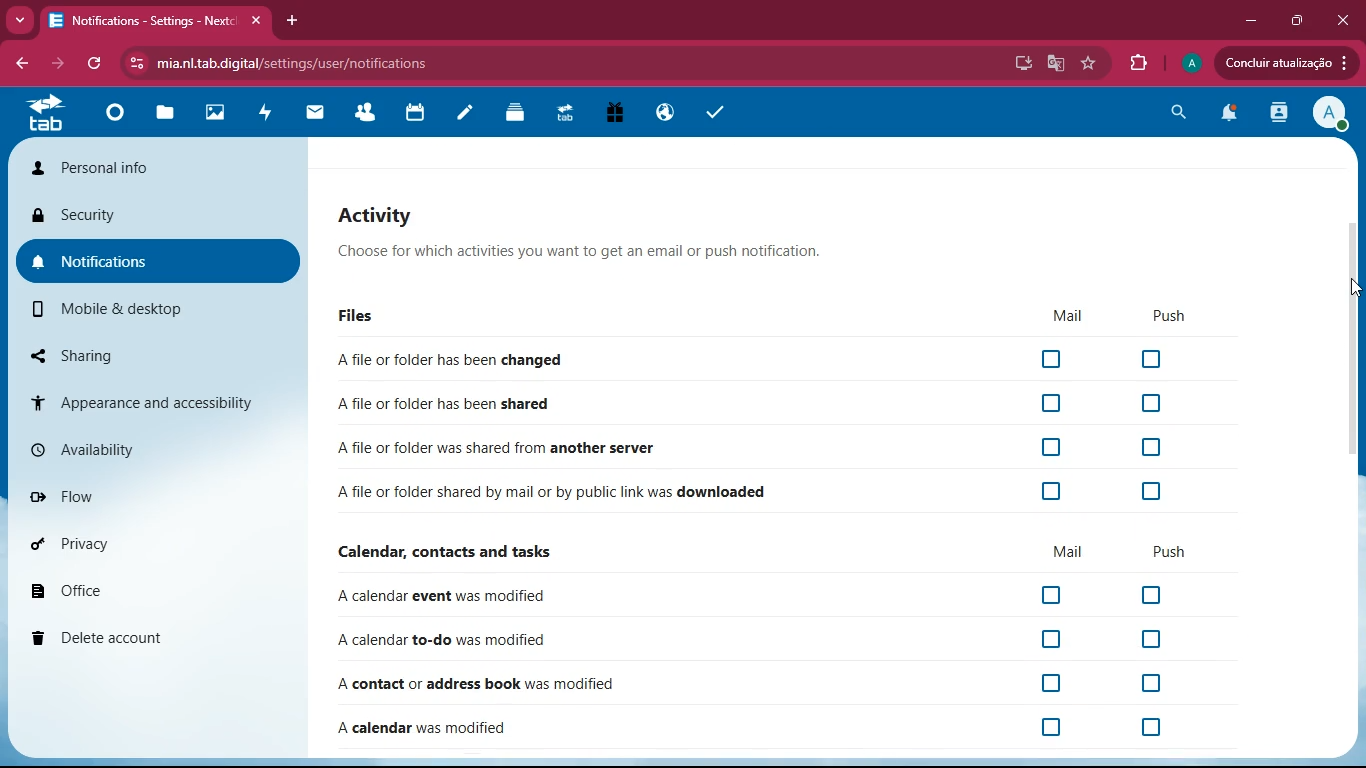  What do you see at coordinates (1281, 115) in the screenshot?
I see `activity` at bounding box center [1281, 115].